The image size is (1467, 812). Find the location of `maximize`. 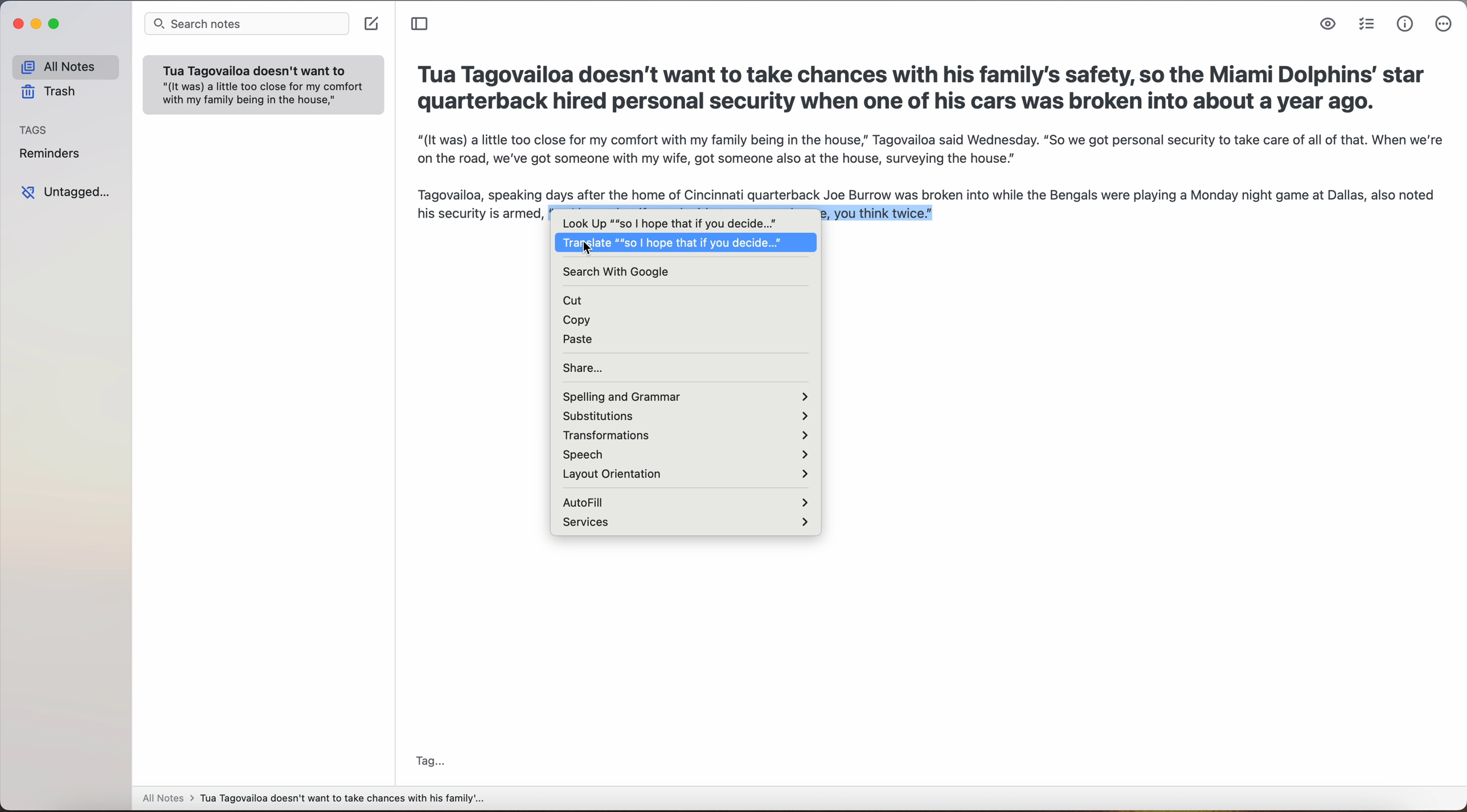

maximize is located at coordinates (56, 24).